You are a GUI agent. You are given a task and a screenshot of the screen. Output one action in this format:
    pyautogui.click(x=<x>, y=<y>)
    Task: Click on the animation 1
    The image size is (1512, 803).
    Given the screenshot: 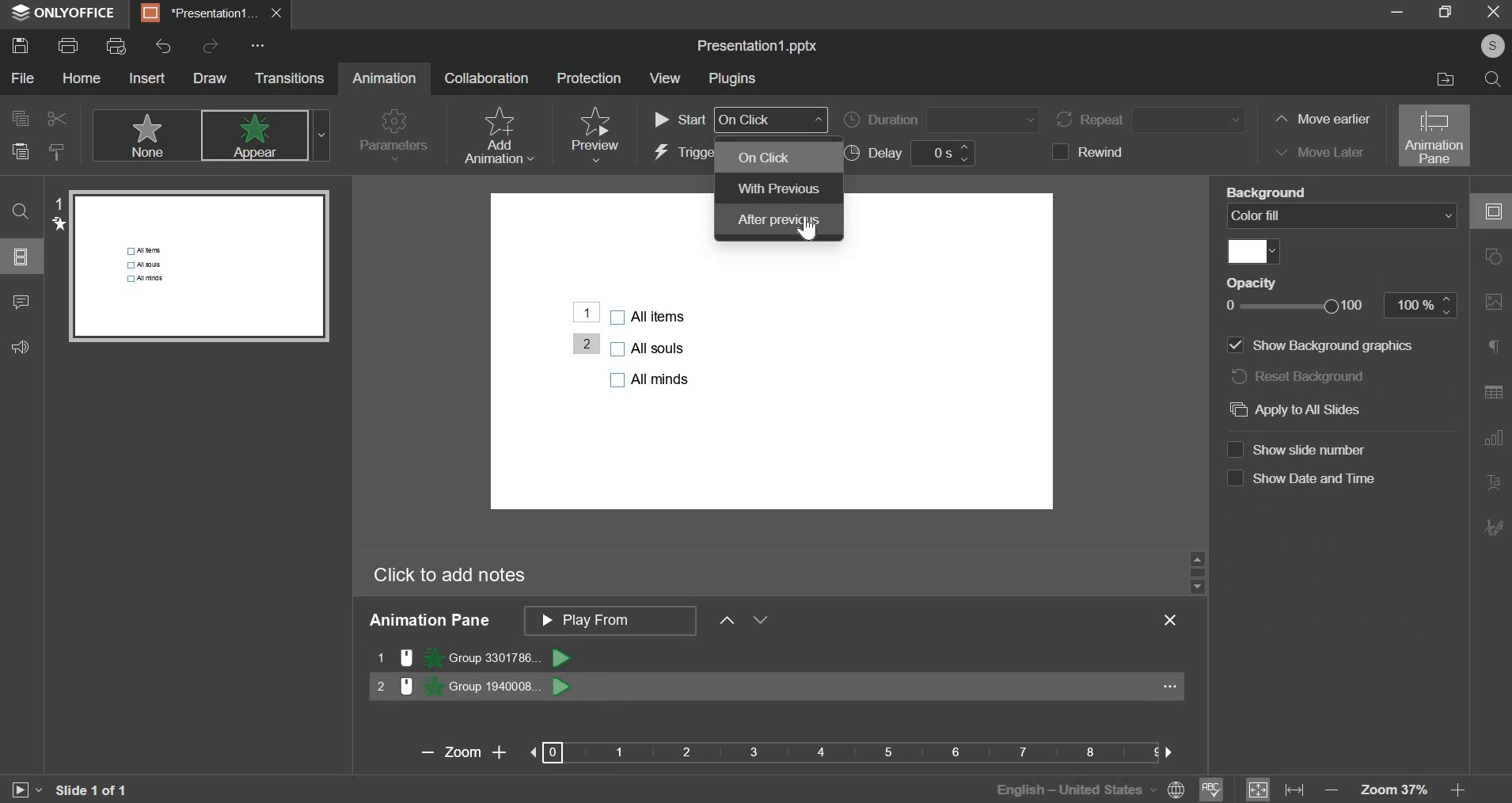 What is the action you would take?
    pyautogui.click(x=473, y=657)
    